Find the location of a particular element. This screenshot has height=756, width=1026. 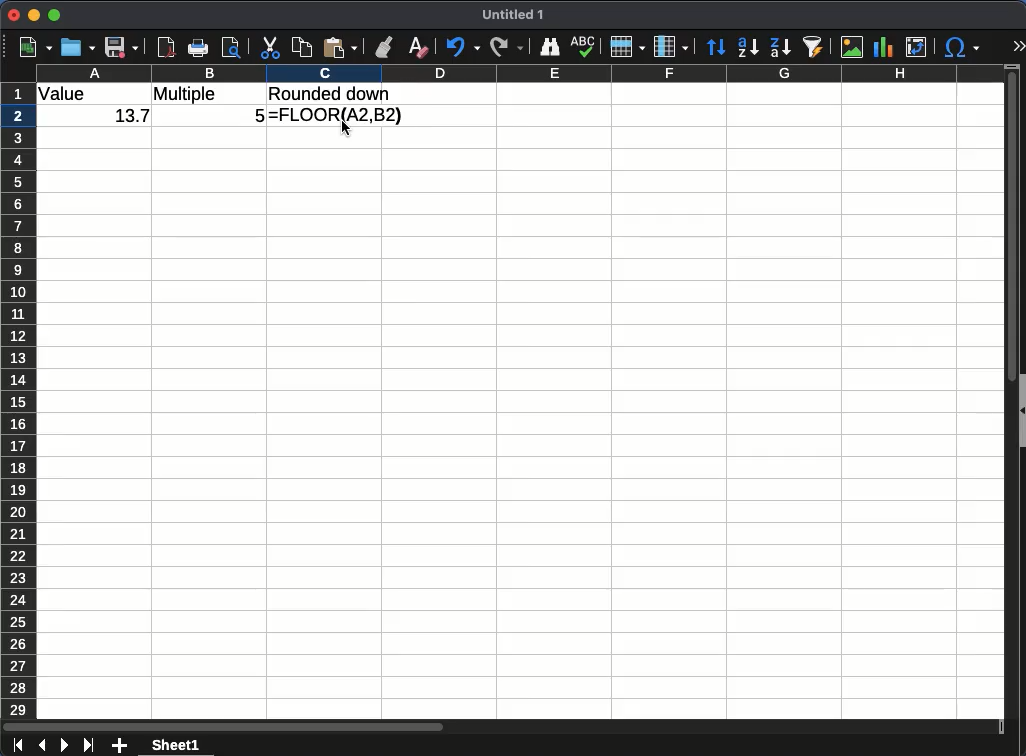

image is located at coordinates (854, 48).